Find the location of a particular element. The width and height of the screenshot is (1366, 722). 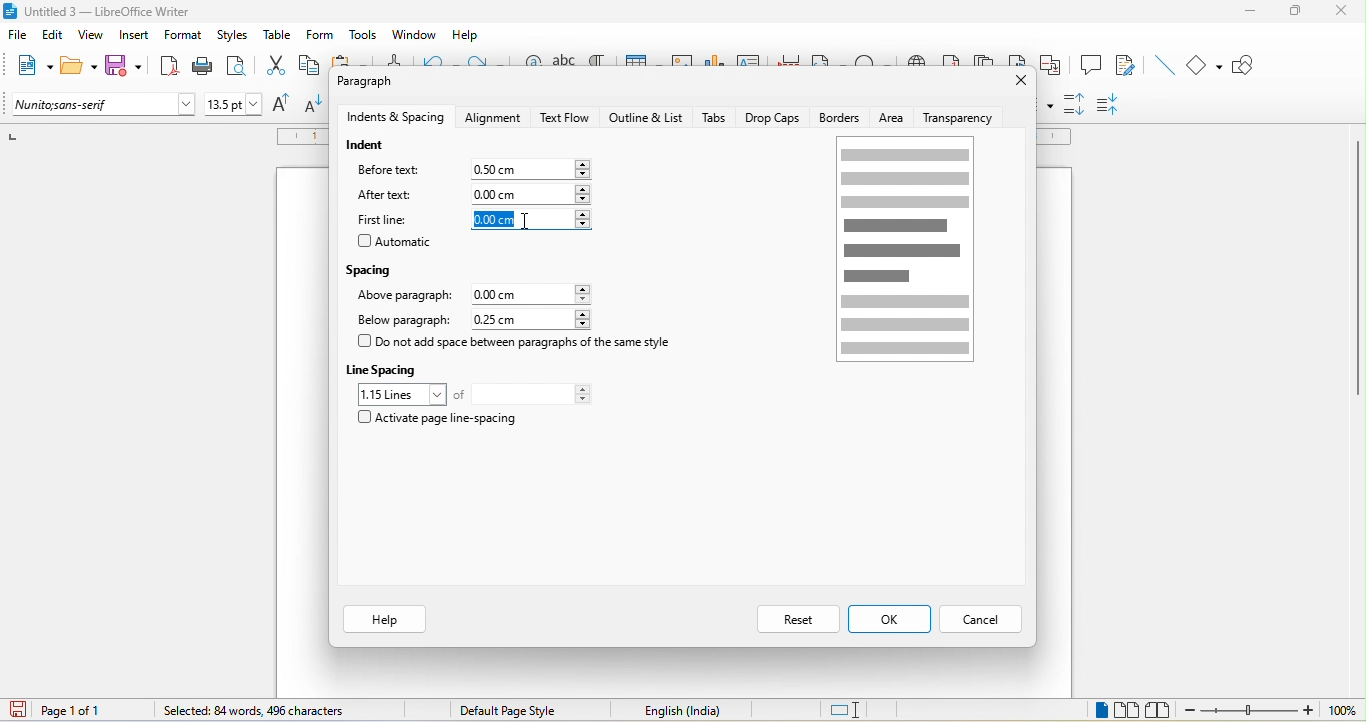

new is located at coordinates (31, 68).